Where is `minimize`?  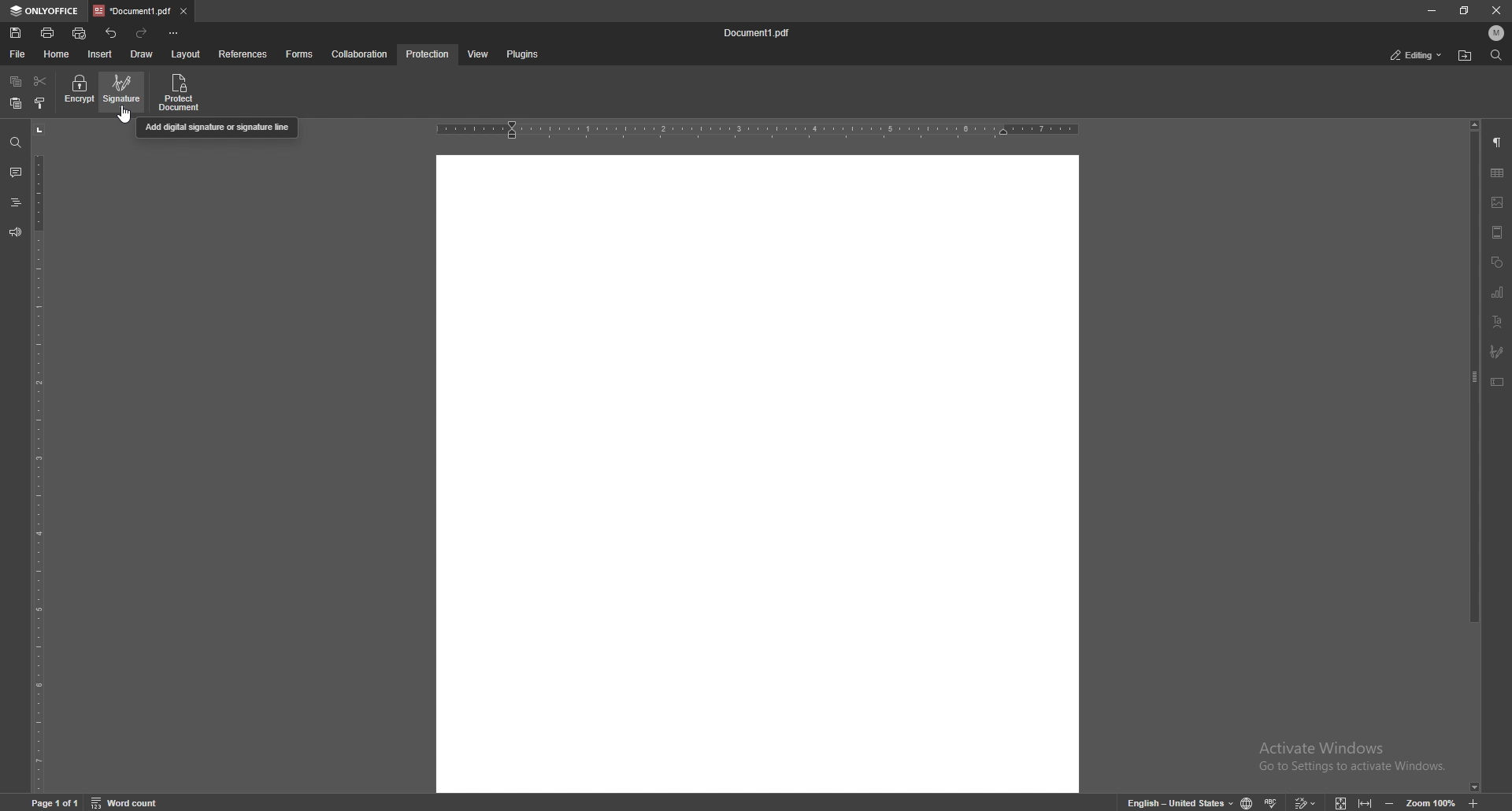
minimize is located at coordinates (1431, 9).